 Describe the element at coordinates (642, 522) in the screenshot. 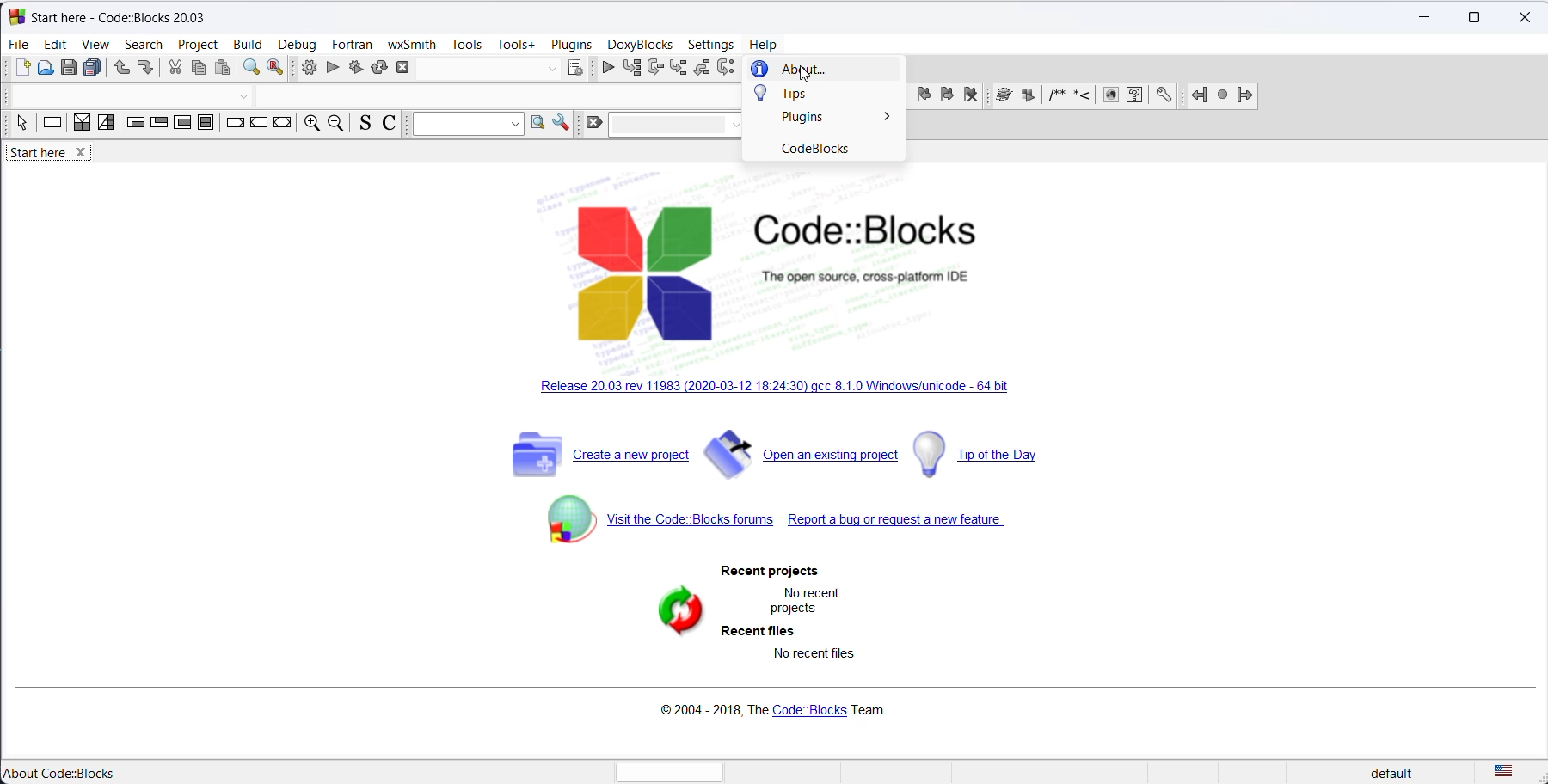

I see `forums` at that location.